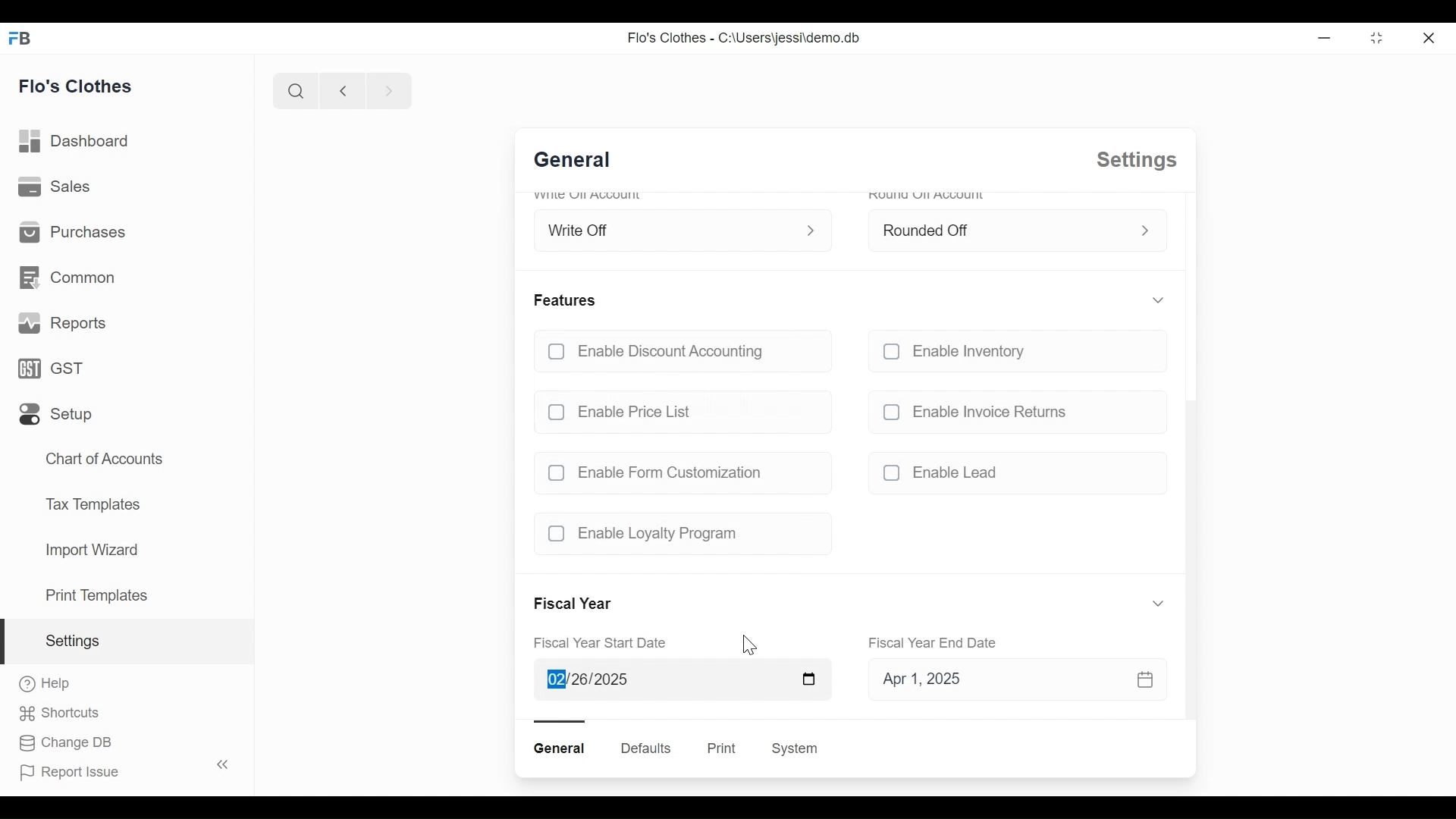 Image resolution: width=1456 pixels, height=819 pixels. I want to click on GST, so click(57, 369).